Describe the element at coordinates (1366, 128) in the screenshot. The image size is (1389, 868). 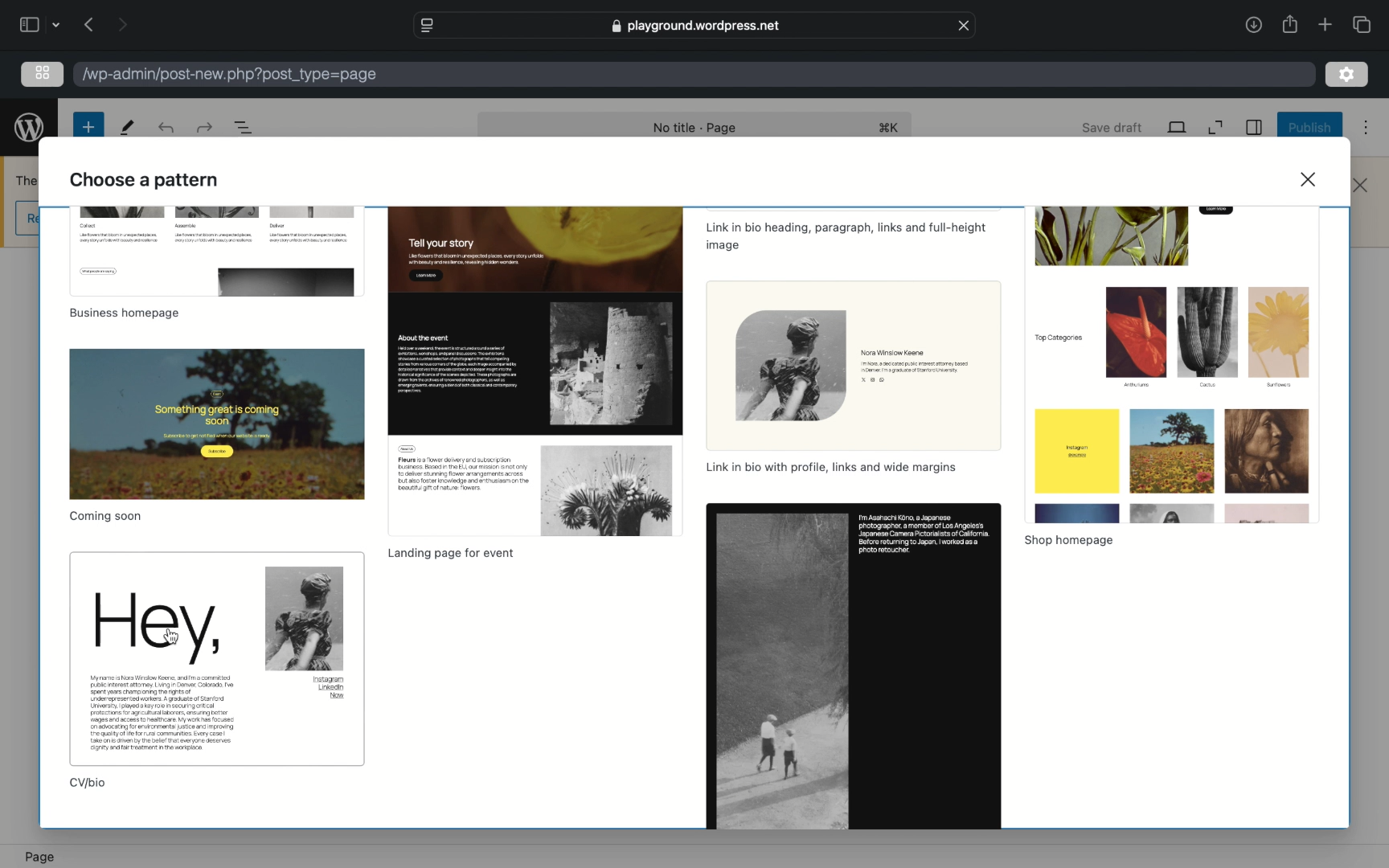
I see `more options` at that location.